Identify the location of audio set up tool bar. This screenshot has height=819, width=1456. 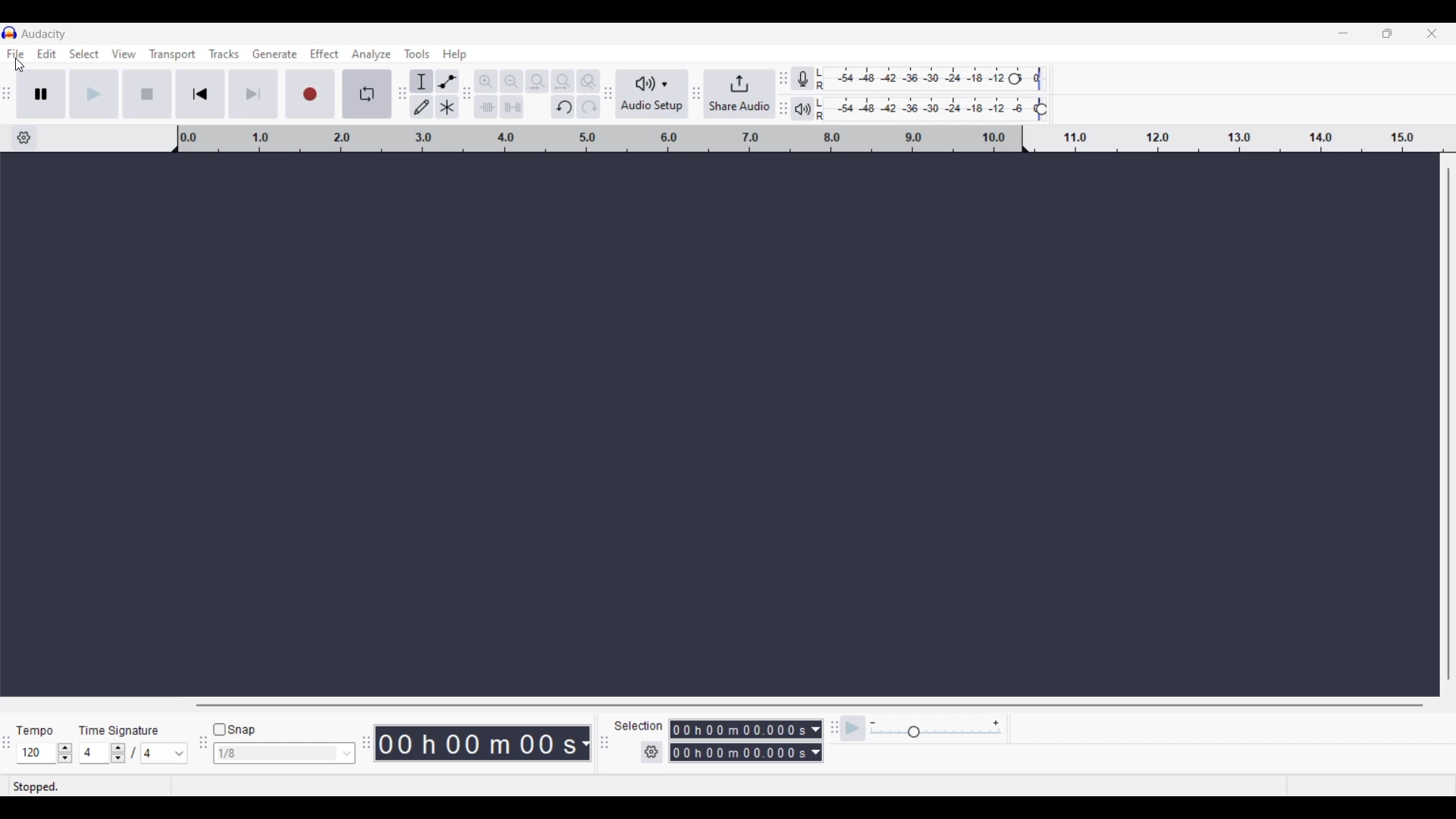
(607, 96).